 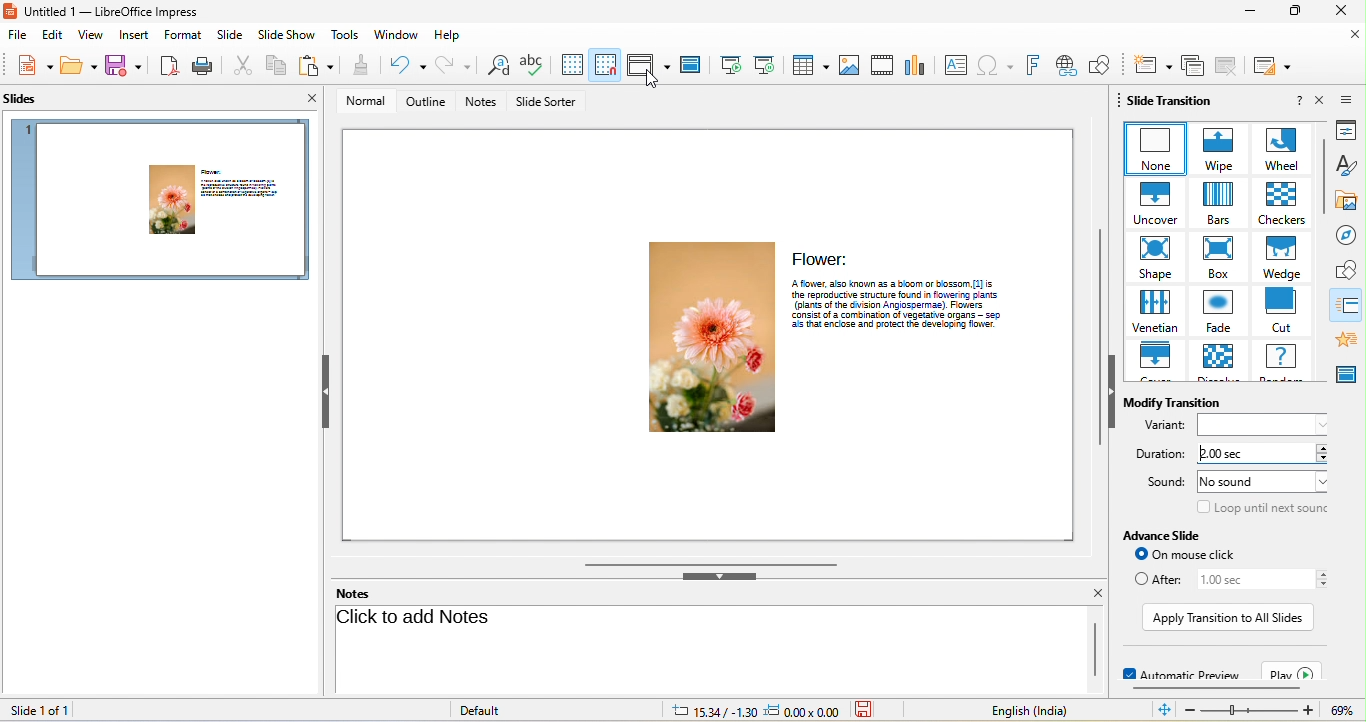 What do you see at coordinates (1196, 554) in the screenshot?
I see `on mouse click` at bounding box center [1196, 554].